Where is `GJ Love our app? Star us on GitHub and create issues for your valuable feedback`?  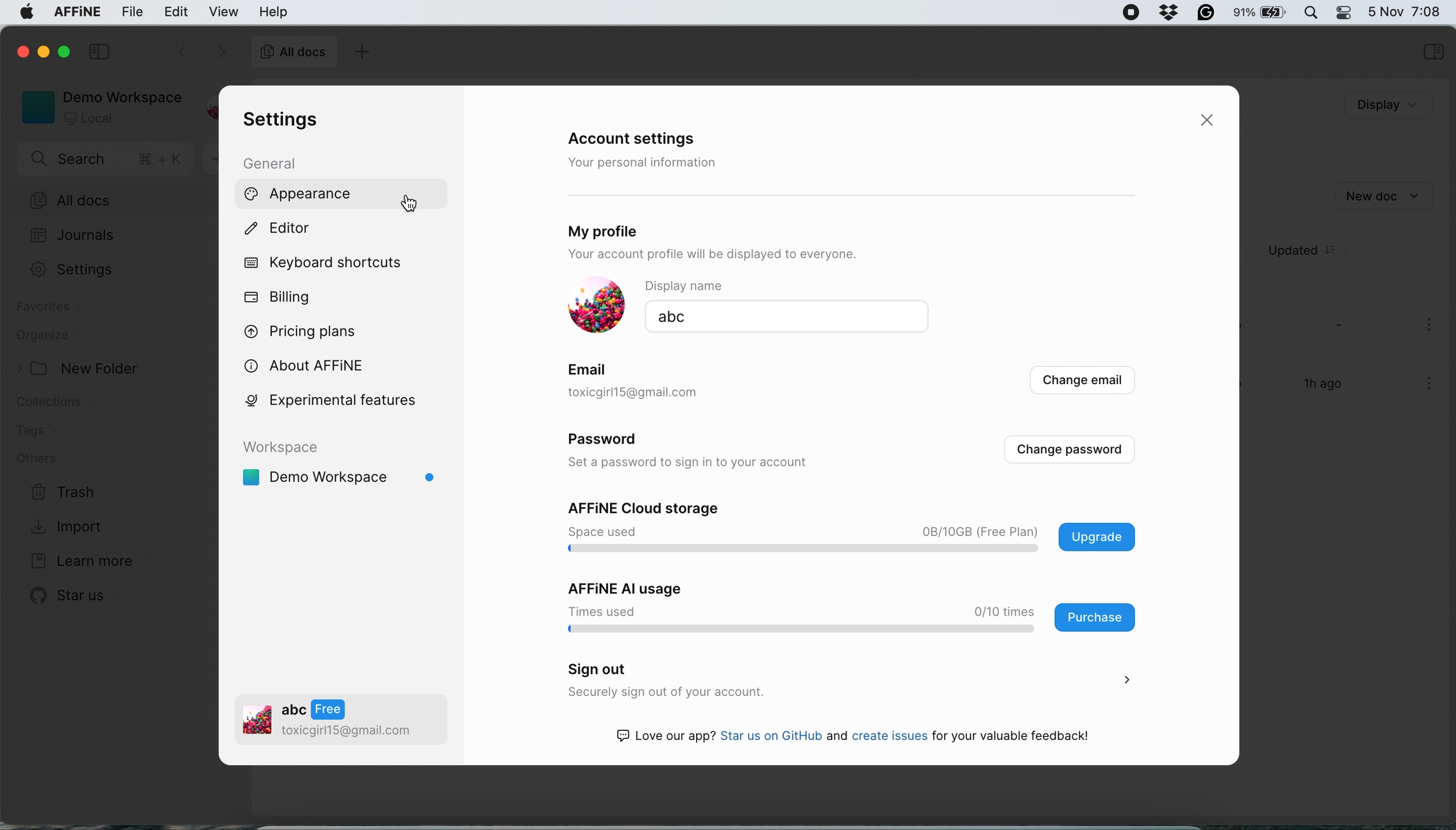
GJ Love our app? Star us on GitHub and create issues for your valuable feedback is located at coordinates (853, 737).